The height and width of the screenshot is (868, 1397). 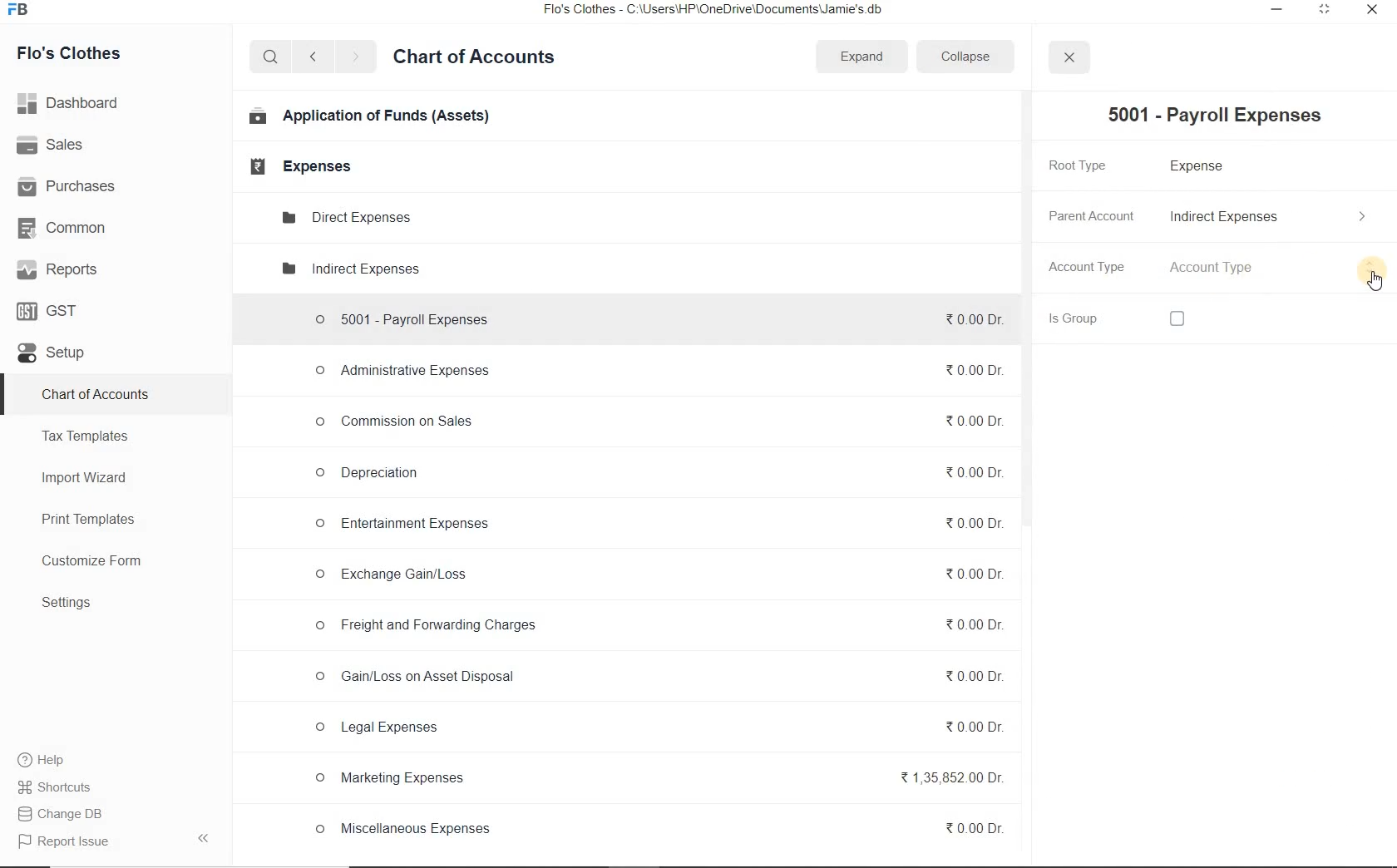 I want to click on © Depreciation 20.000r, so click(x=656, y=471).